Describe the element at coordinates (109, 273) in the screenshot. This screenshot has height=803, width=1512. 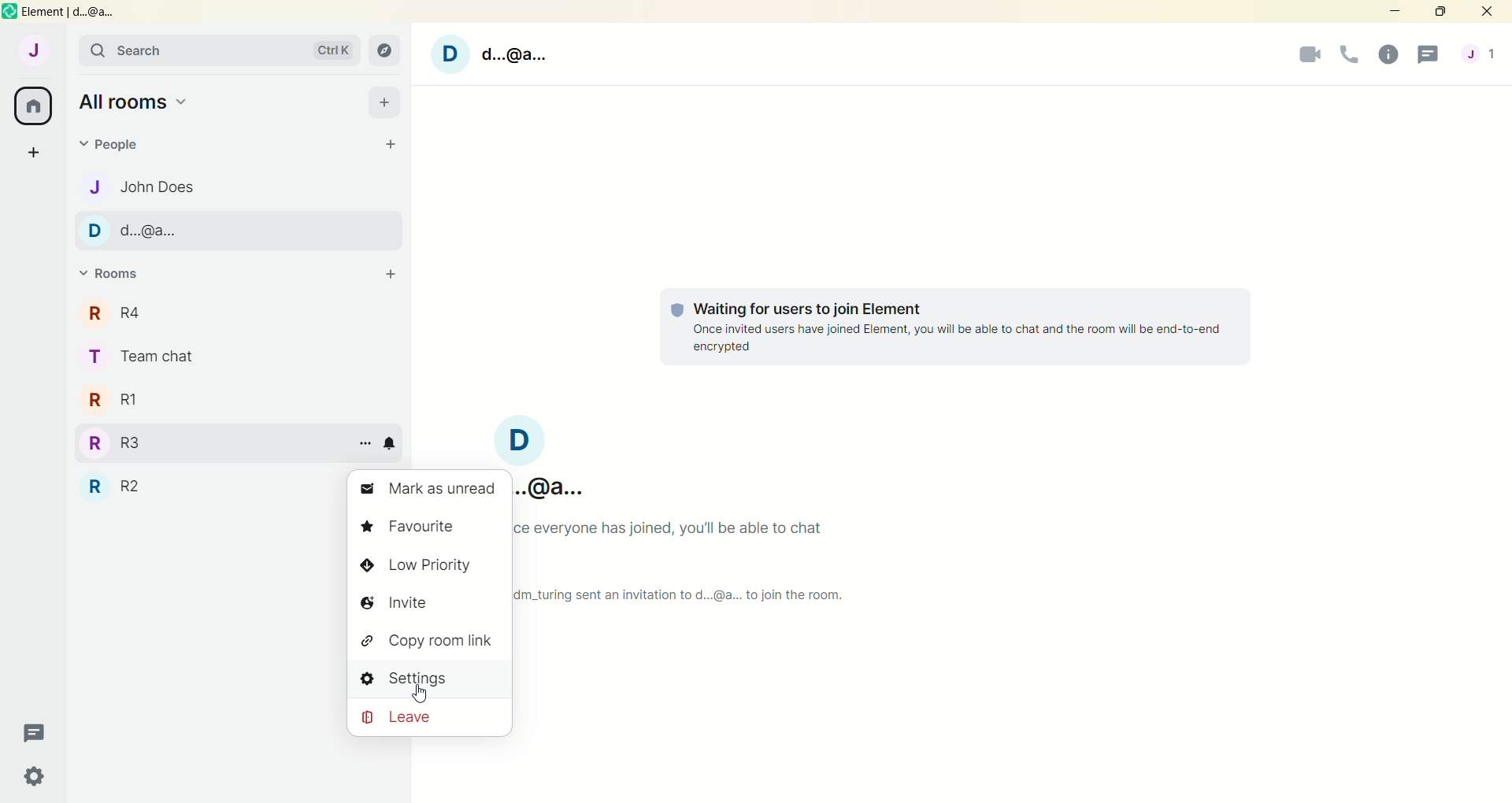
I see `rooms` at that location.